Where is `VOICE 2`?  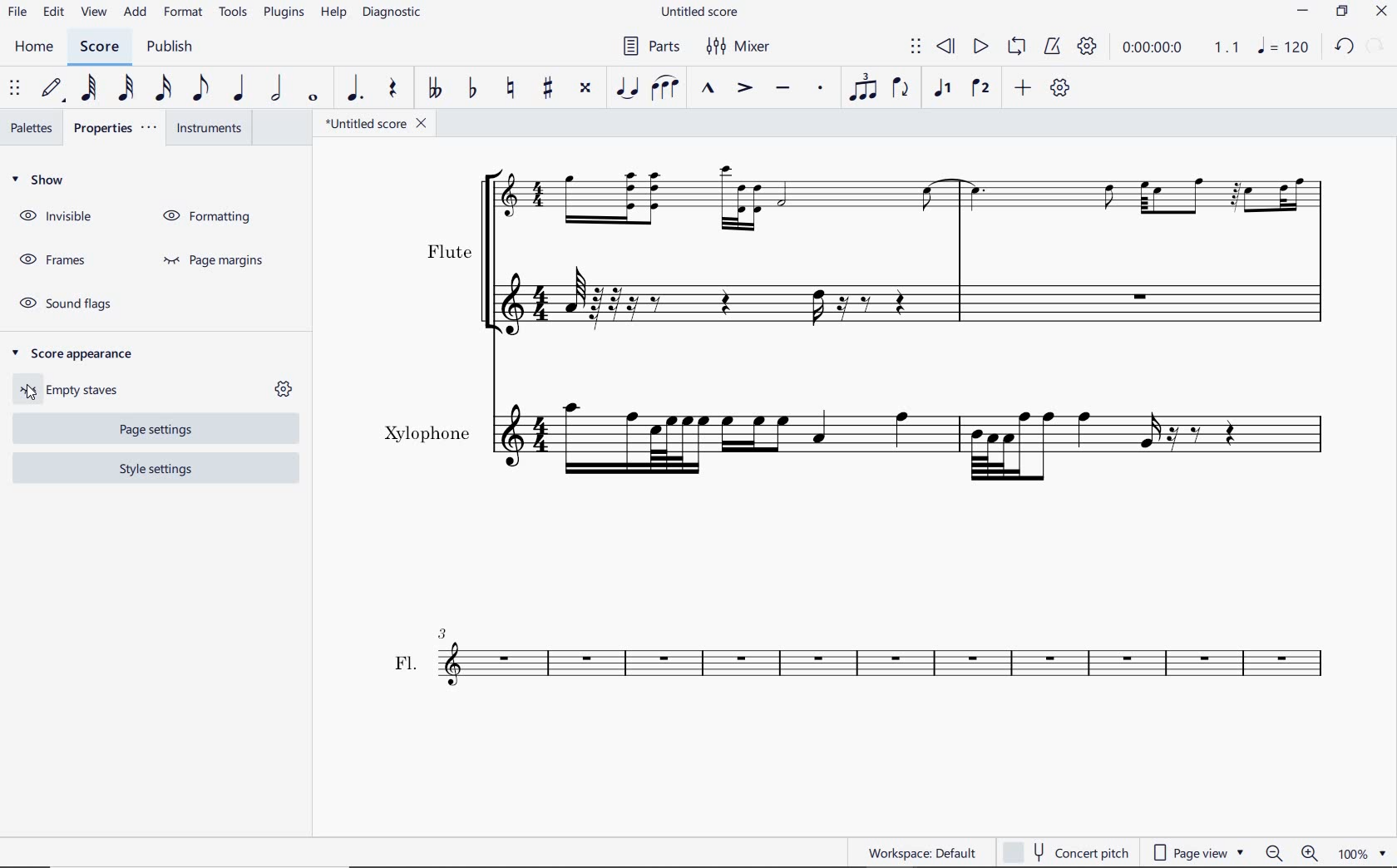
VOICE 2 is located at coordinates (980, 88).